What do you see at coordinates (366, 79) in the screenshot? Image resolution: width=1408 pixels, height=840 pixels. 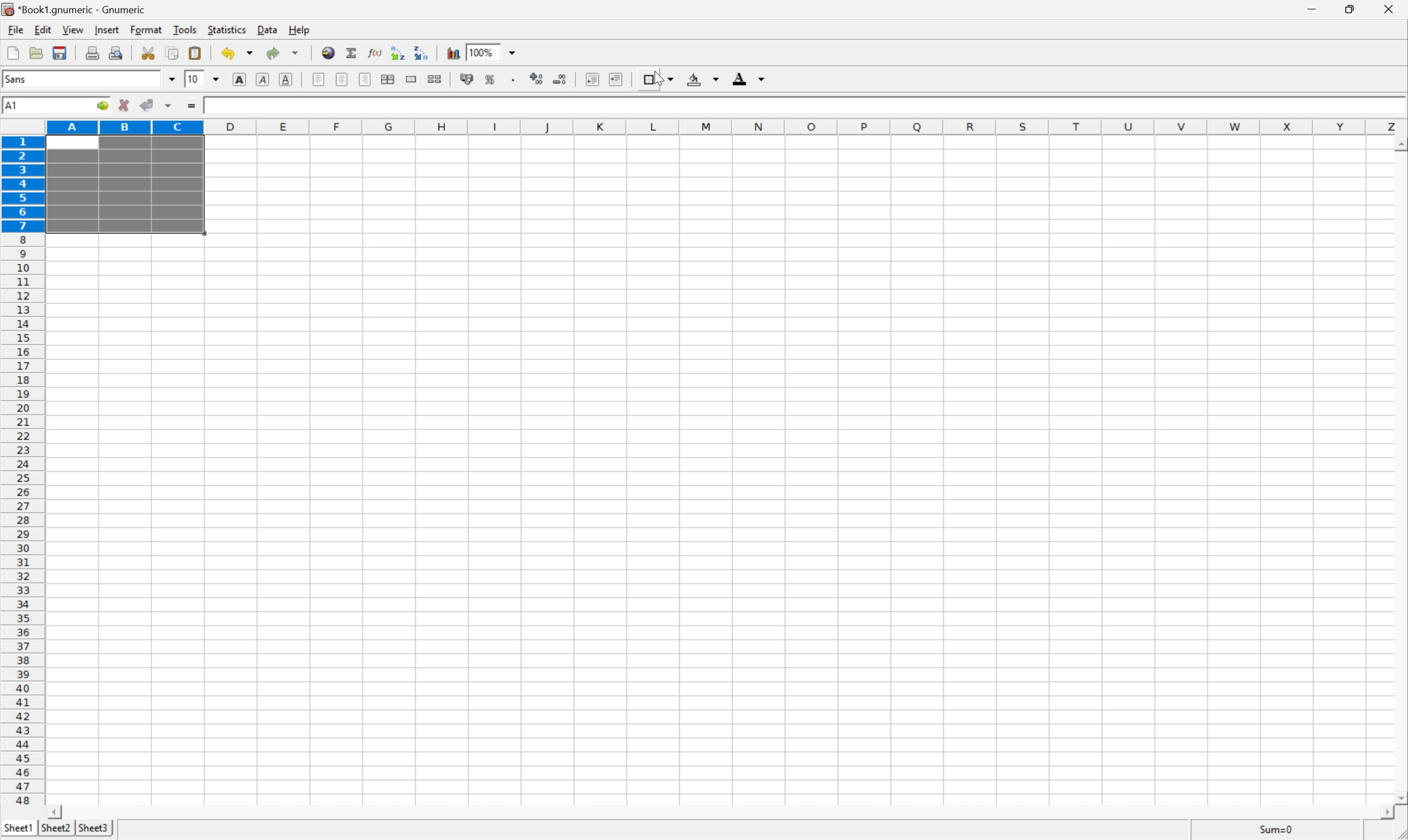 I see `Align Right` at bounding box center [366, 79].